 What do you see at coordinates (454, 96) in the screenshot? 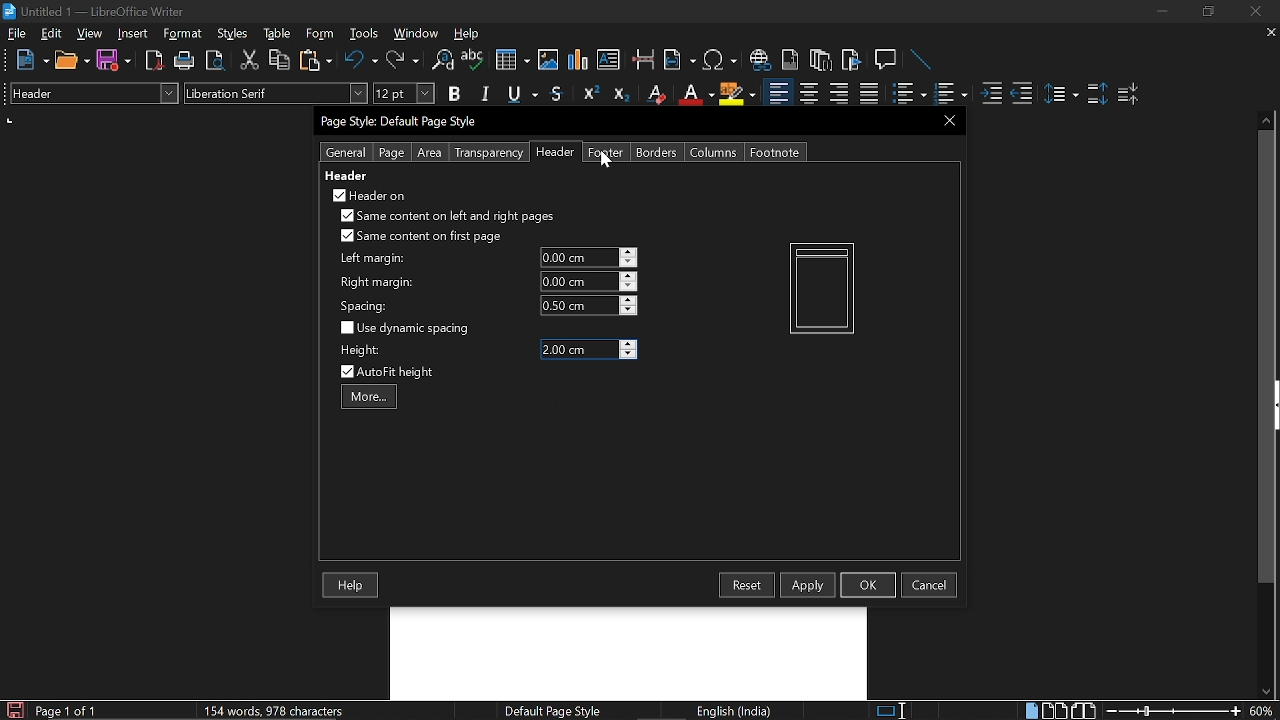
I see `Bold` at bounding box center [454, 96].